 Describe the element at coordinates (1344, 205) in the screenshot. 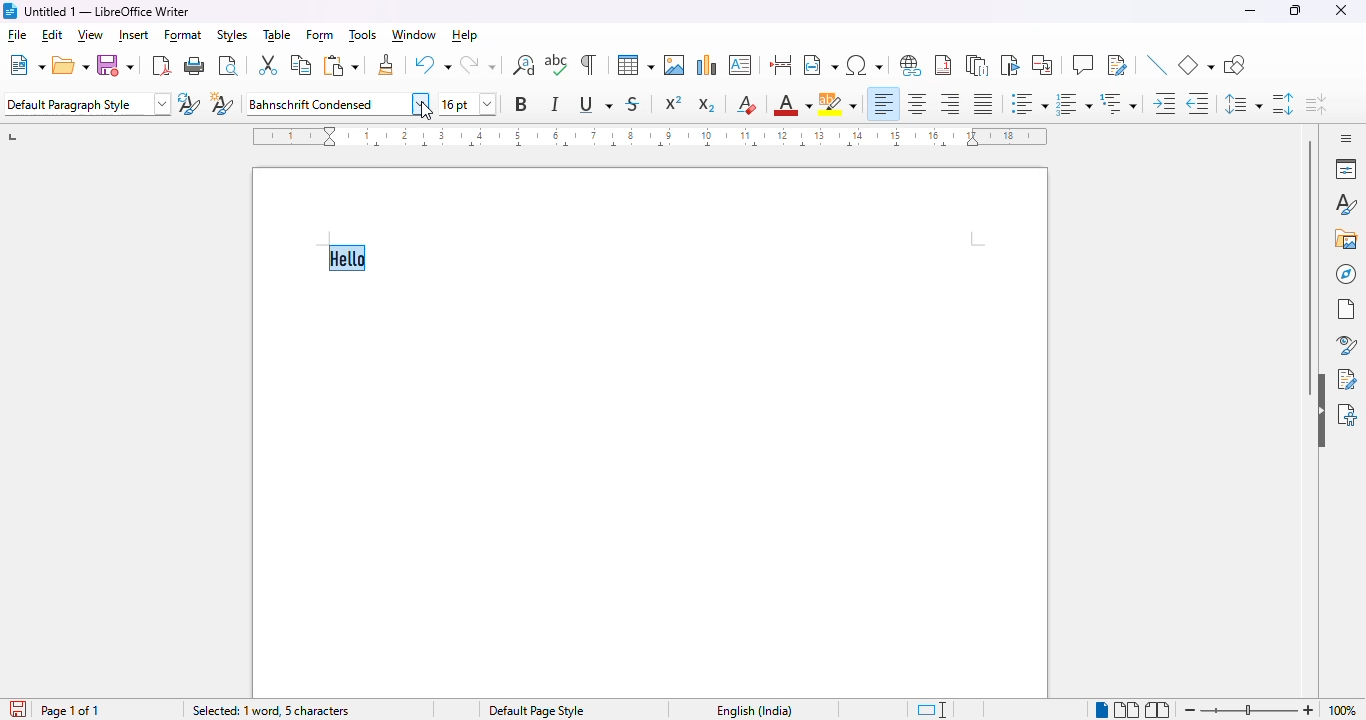

I see `styles` at that location.